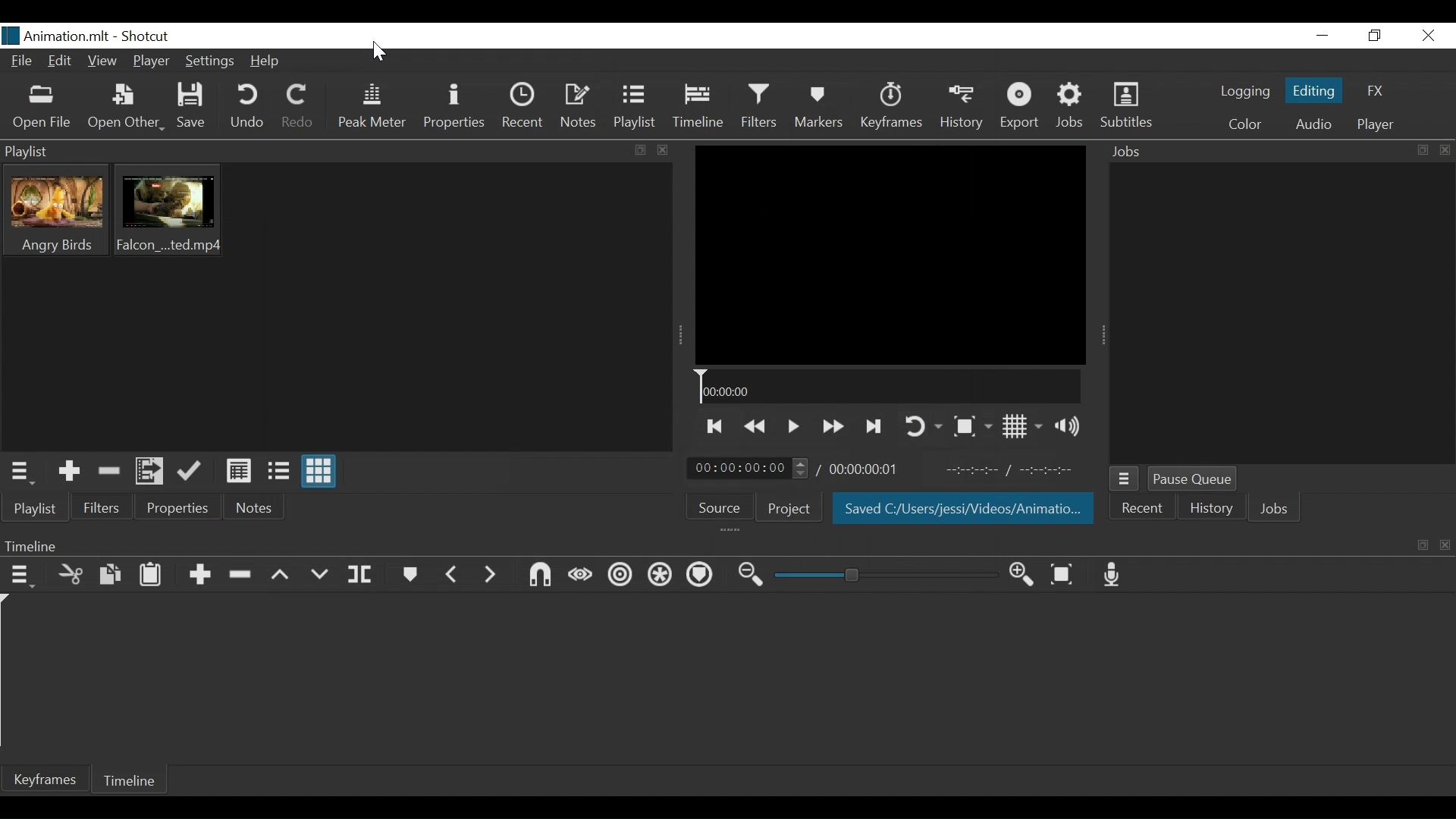 The image size is (1456, 819). What do you see at coordinates (622, 575) in the screenshot?
I see `Ripple` at bounding box center [622, 575].